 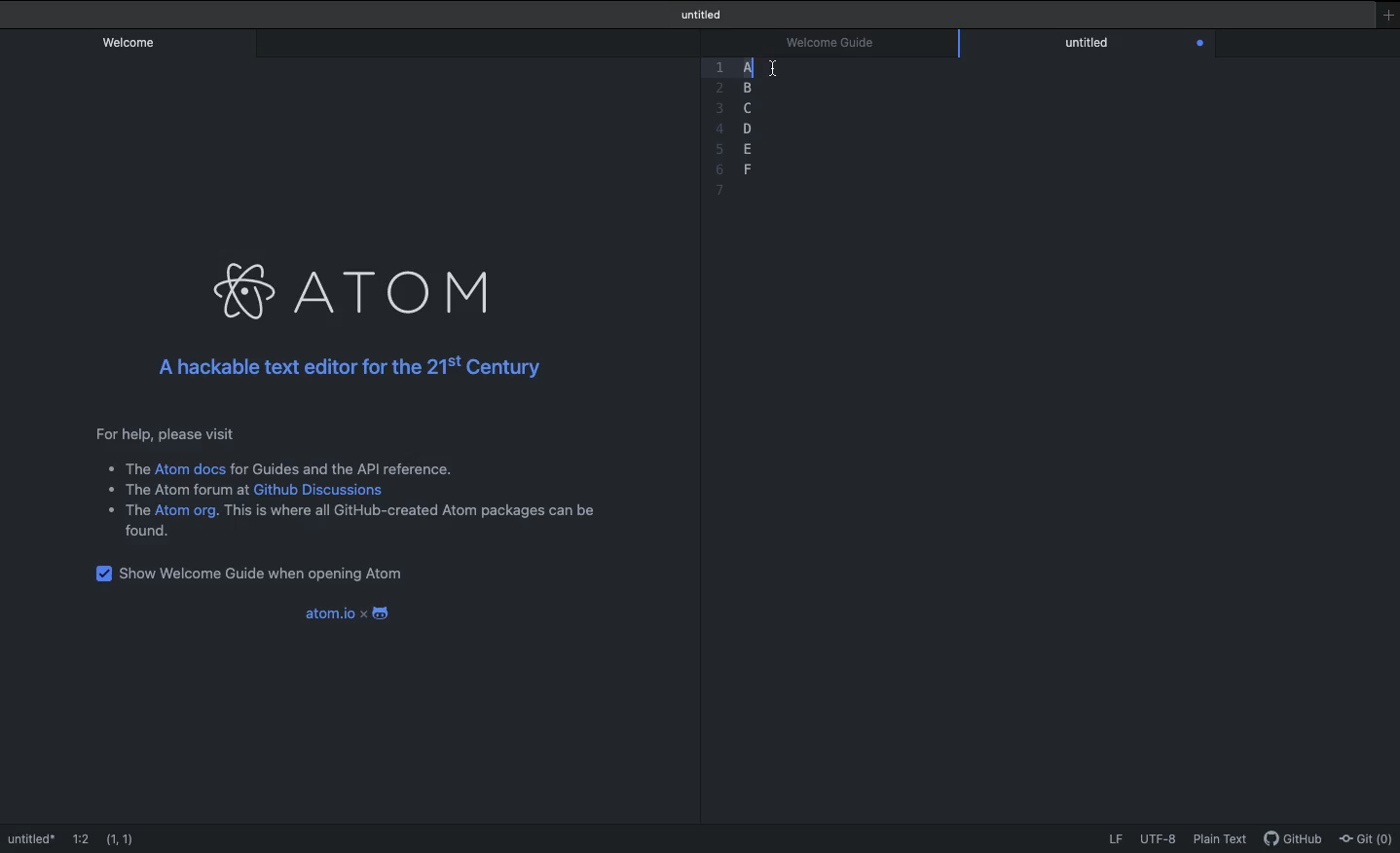 What do you see at coordinates (718, 150) in the screenshot?
I see `5` at bounding box center [718, 150].